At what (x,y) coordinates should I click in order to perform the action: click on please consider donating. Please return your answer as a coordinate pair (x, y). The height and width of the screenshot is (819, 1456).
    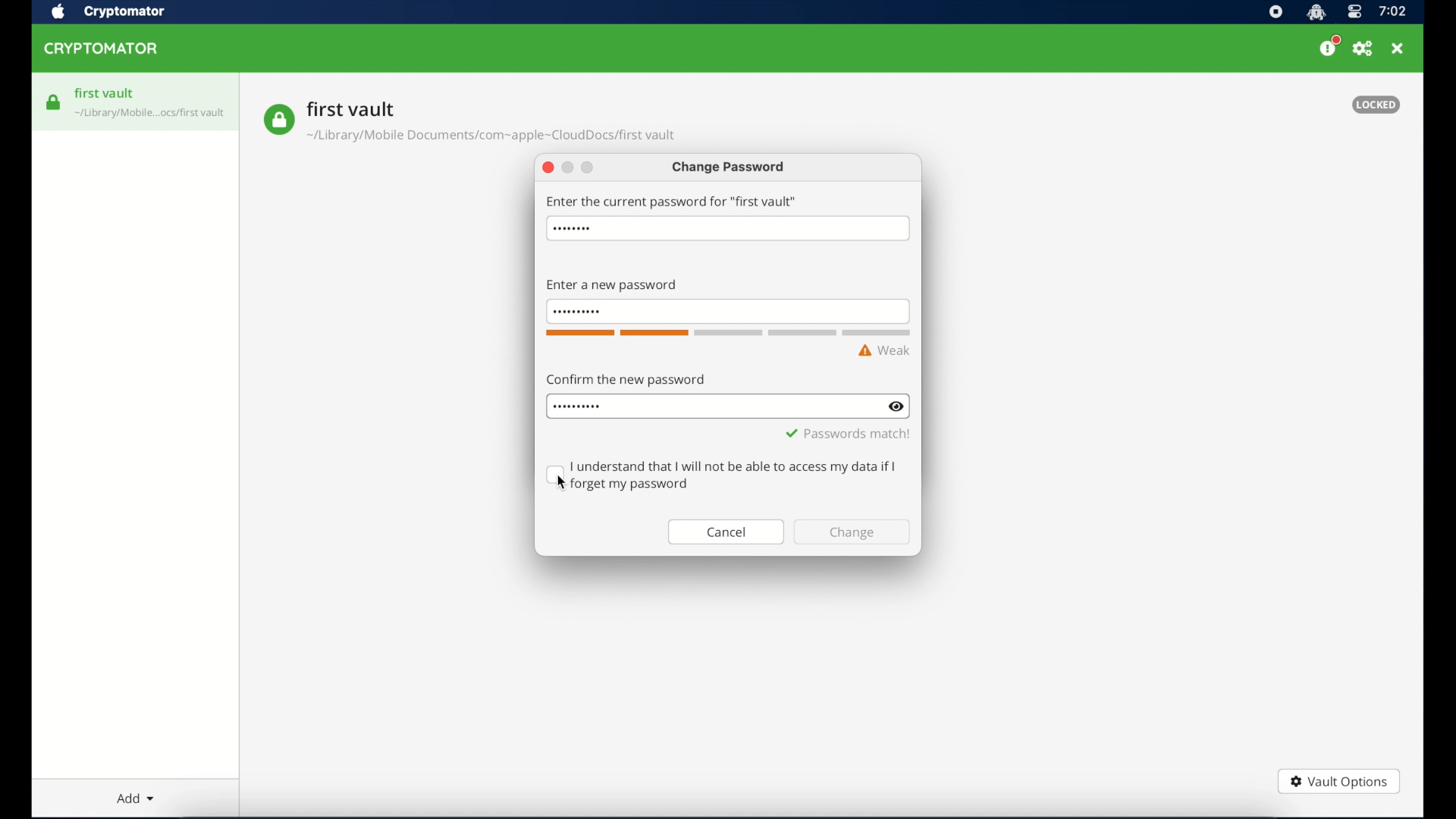
    Looking at the image, I should click on (1329, 46).